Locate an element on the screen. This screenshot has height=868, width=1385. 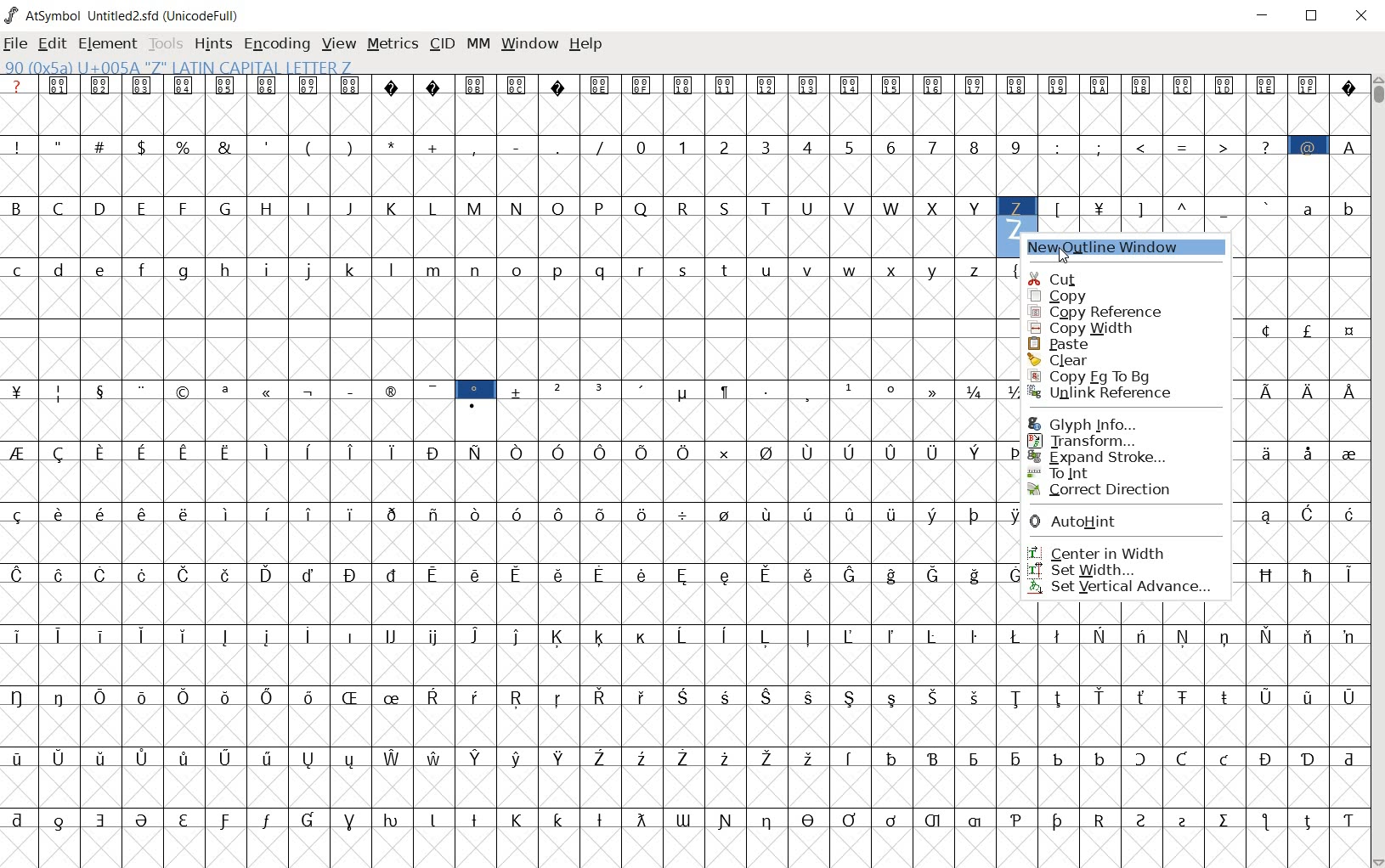
glyphs is located at coordinates (491, 462).